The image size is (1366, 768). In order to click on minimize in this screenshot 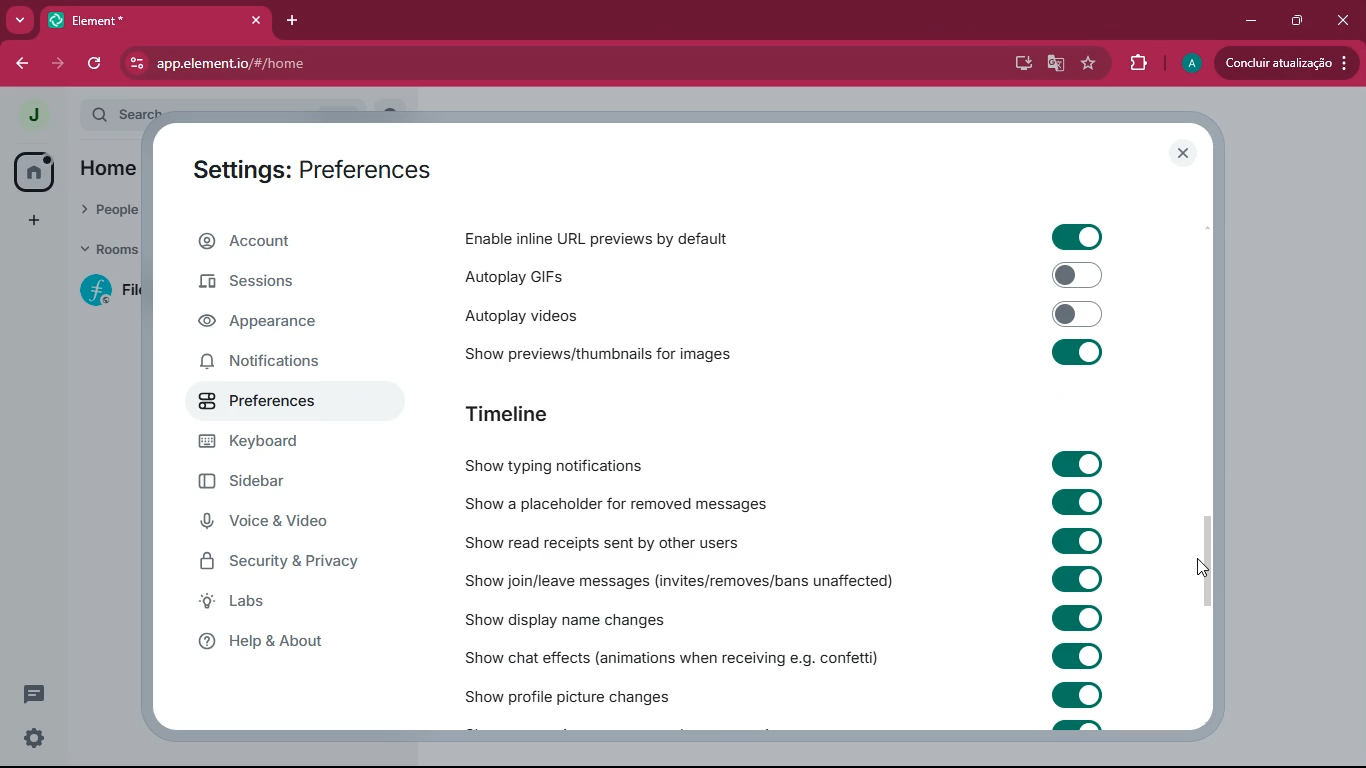, I will do `click(1246, 21)`.